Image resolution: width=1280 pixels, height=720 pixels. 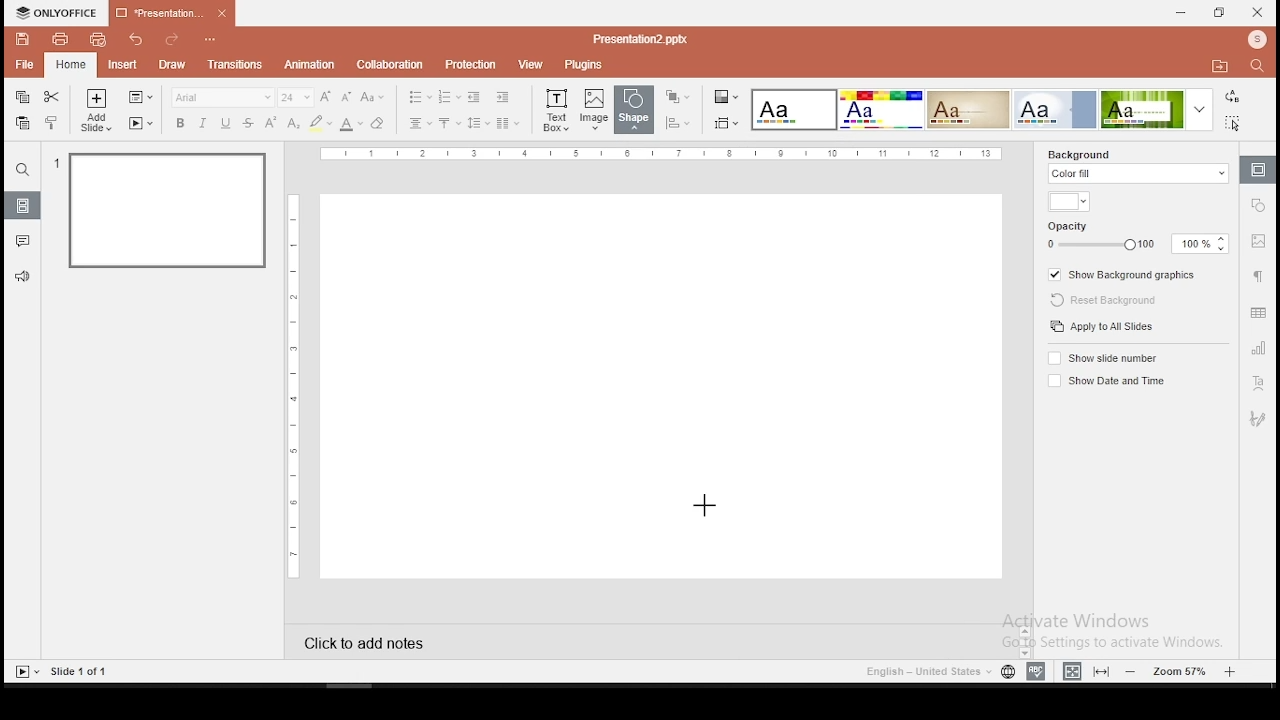 What do you see at coordinates (677, 123) in the screenshot?
I see `align shapes` at bounding box center [677, 123].